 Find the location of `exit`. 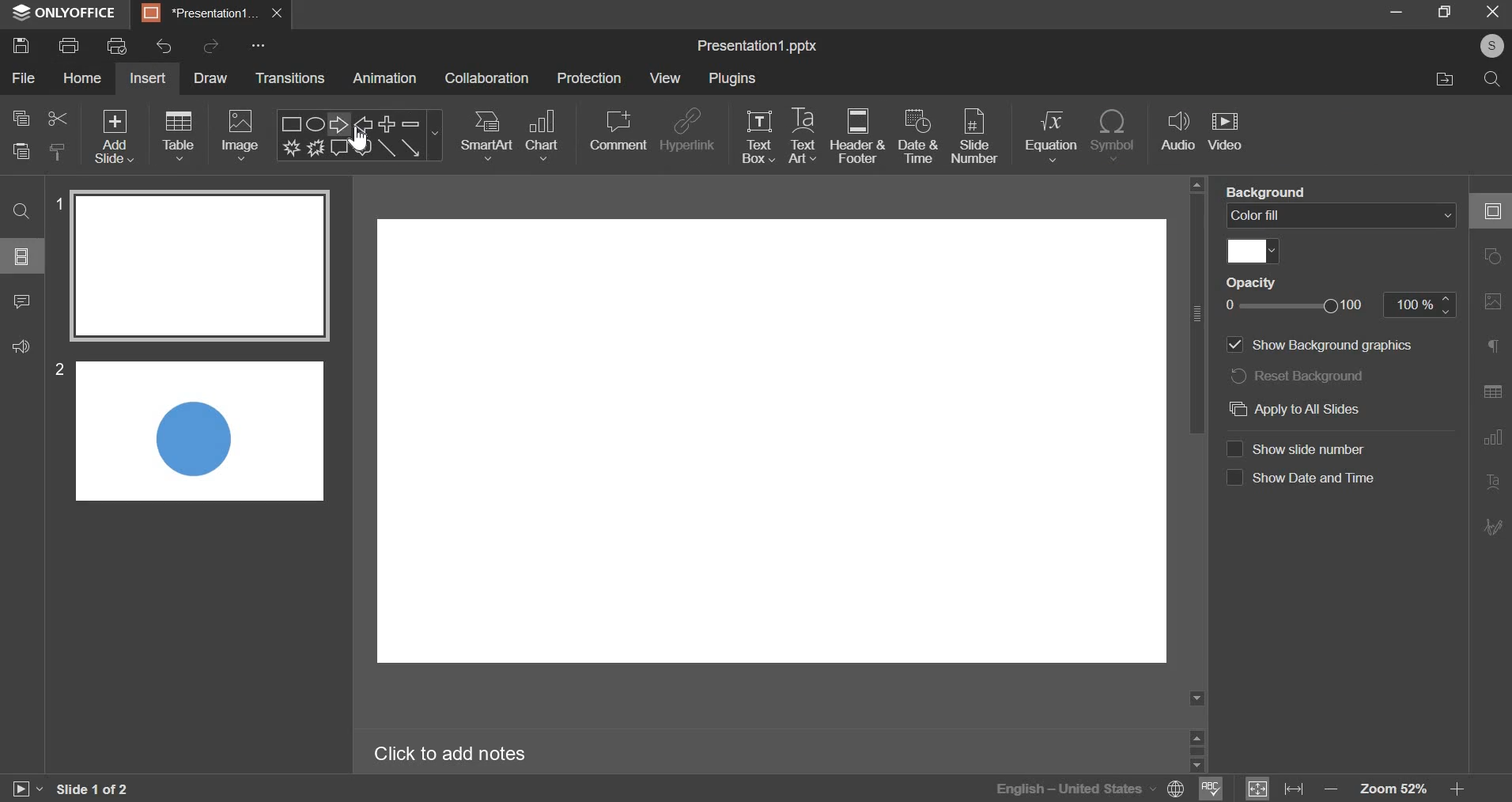

exit is located at coordinates (1493, 11).